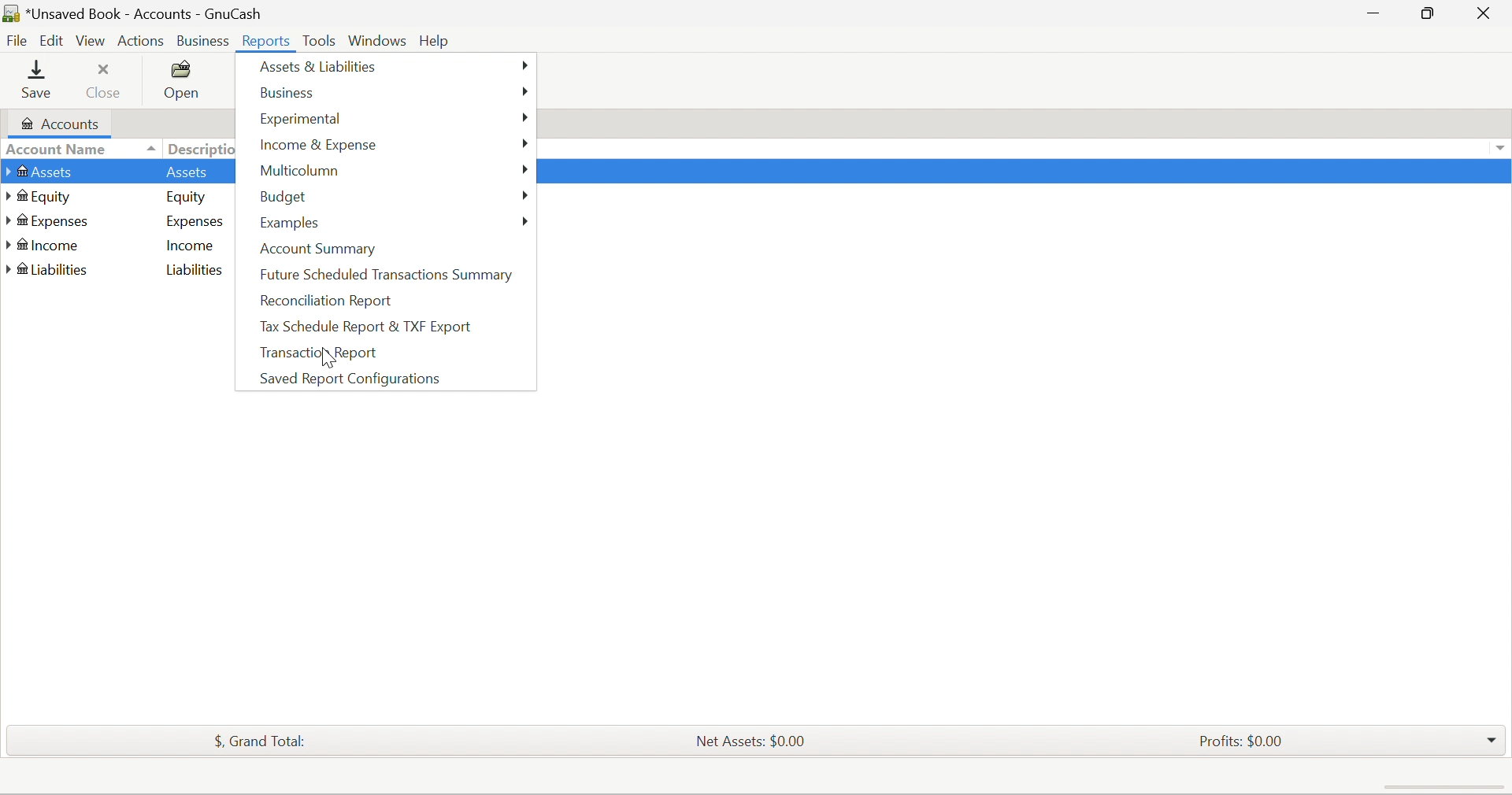 This screenshot has width=1512, height=795. I want to click on Tax scheduled reports & TFX Export, so click(370, 326).